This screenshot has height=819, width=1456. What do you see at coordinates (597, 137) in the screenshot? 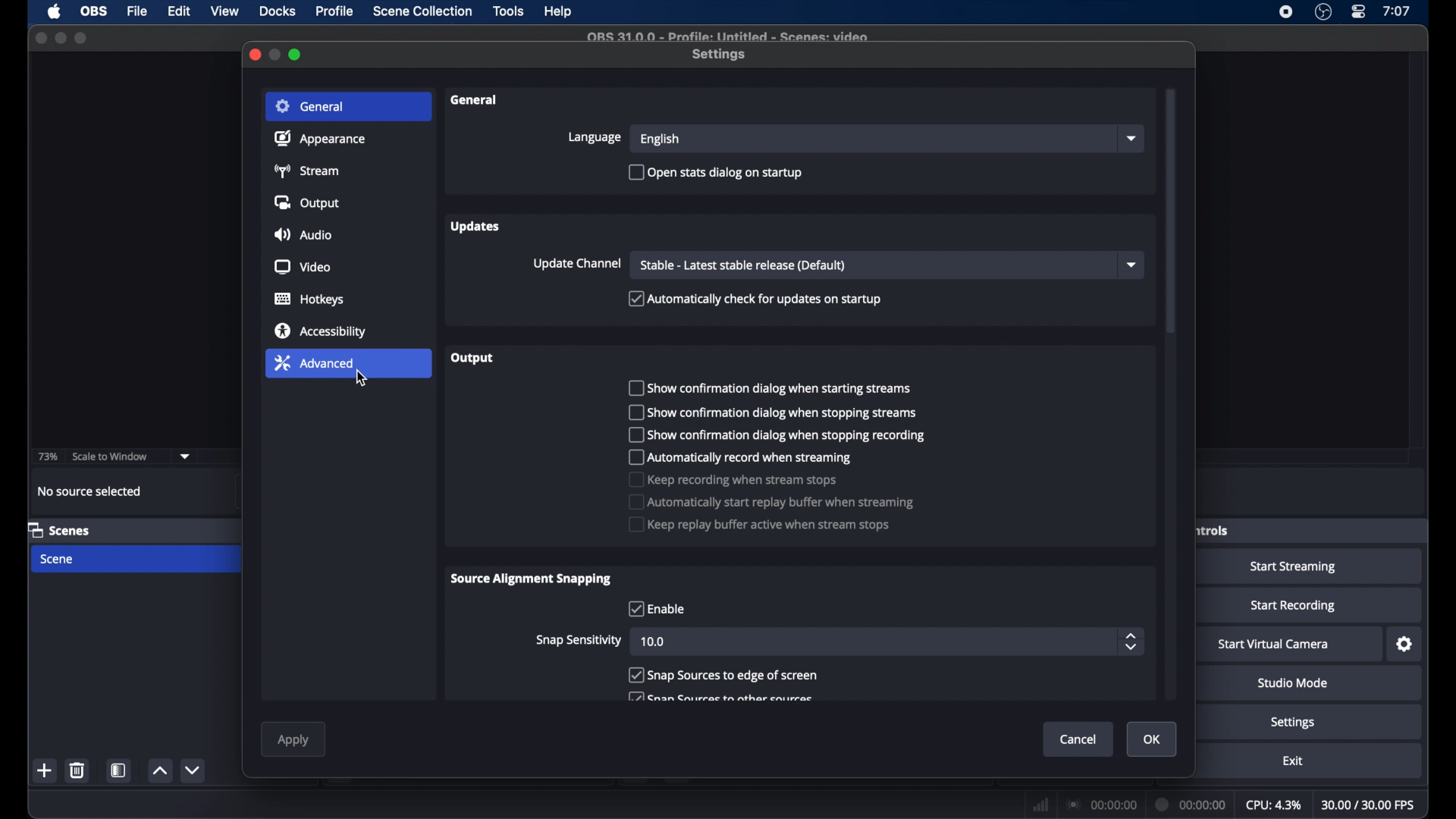
I see `language` at bounding box center [597, 137].